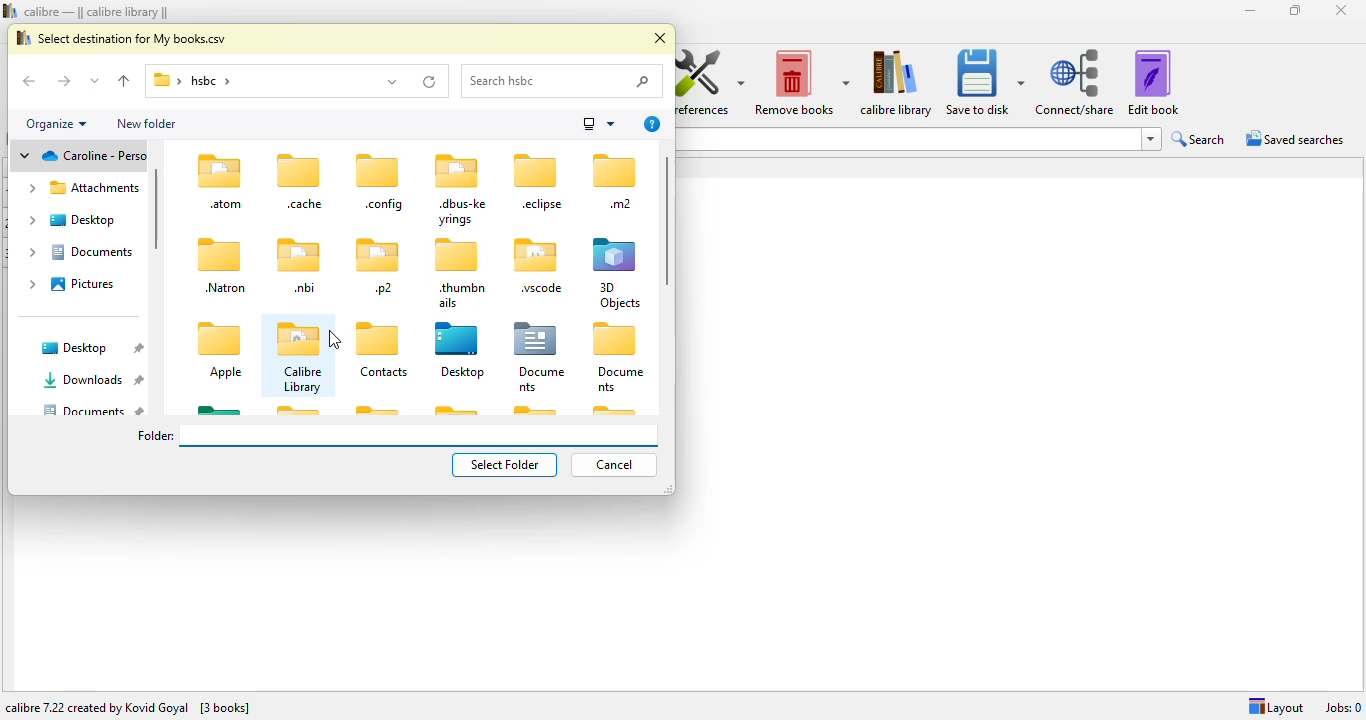 This screenshot has width=1366, height=720. What do you see at coordinates (564, 82) in the screenshot?
I see `search` at bounding box center [564, 82].